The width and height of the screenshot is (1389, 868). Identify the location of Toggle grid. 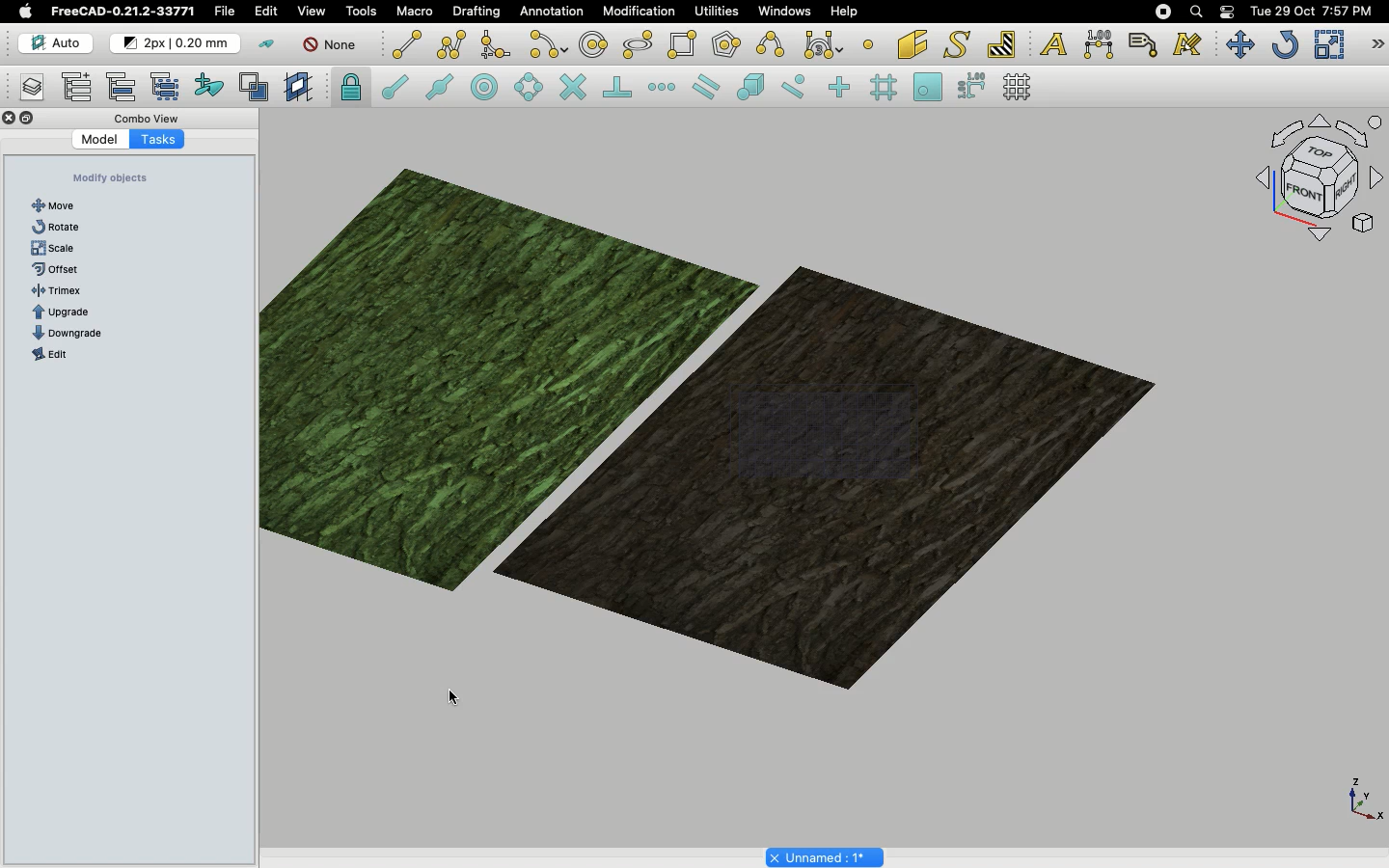
(1019, 87).